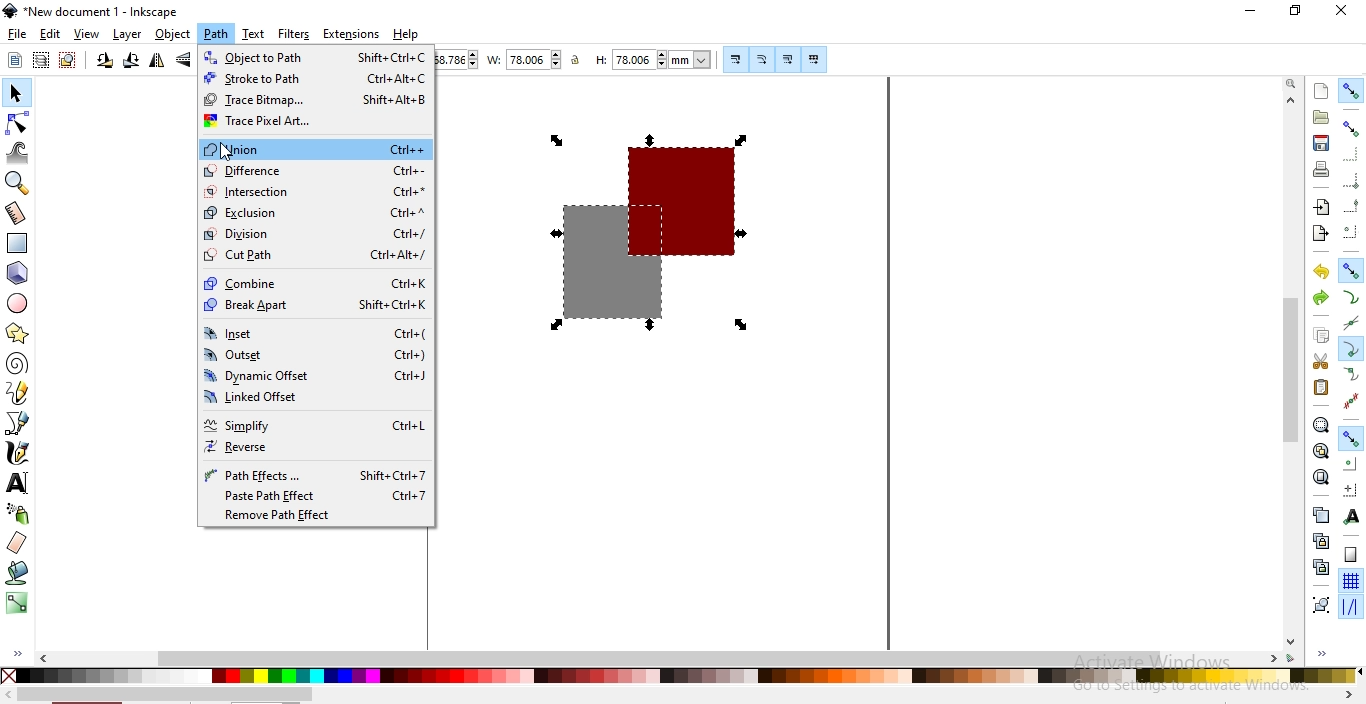  What do you see at coordinates (1319, 234) in the screenshot?
I see `export a bitmap` at bounding box center [1319, 234].